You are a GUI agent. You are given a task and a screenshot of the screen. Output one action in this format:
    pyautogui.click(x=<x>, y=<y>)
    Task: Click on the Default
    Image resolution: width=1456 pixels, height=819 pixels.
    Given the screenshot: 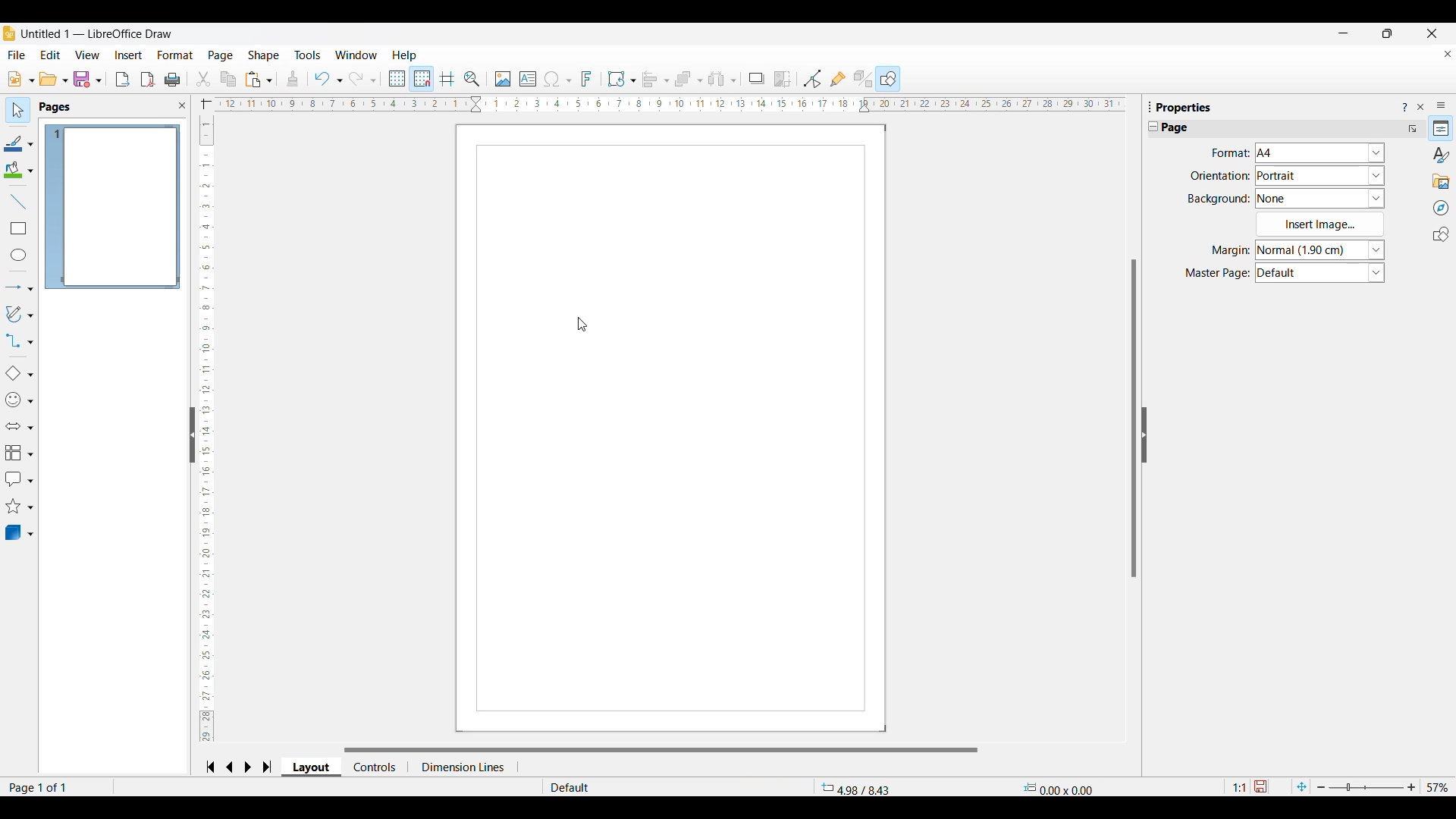 What is the action you would take?
    pyautogui.click(x=607, y=787)
    